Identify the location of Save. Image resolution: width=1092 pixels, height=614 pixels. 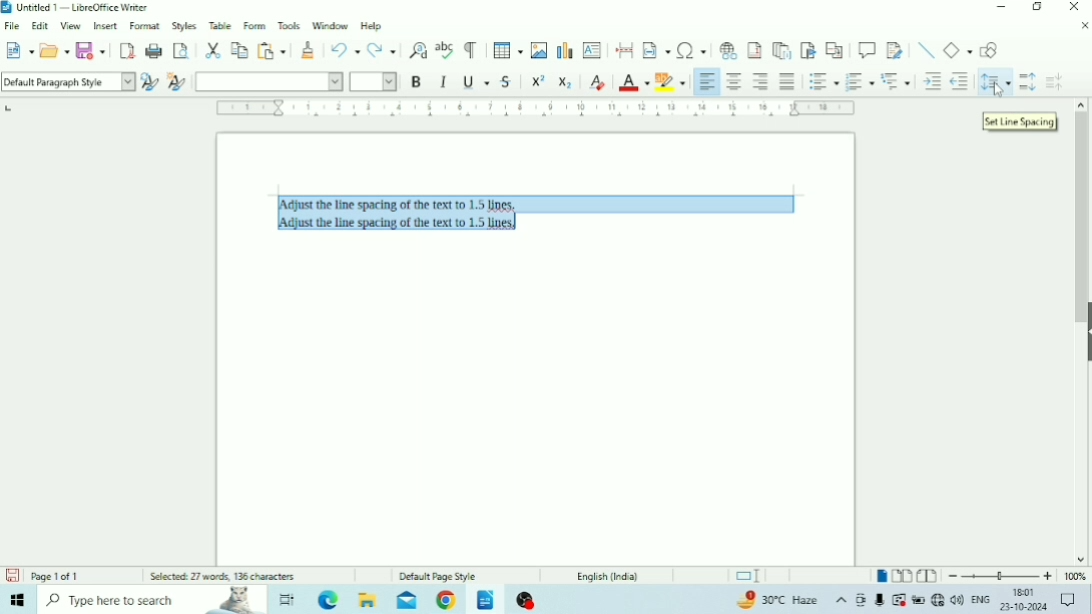
(12, 575).